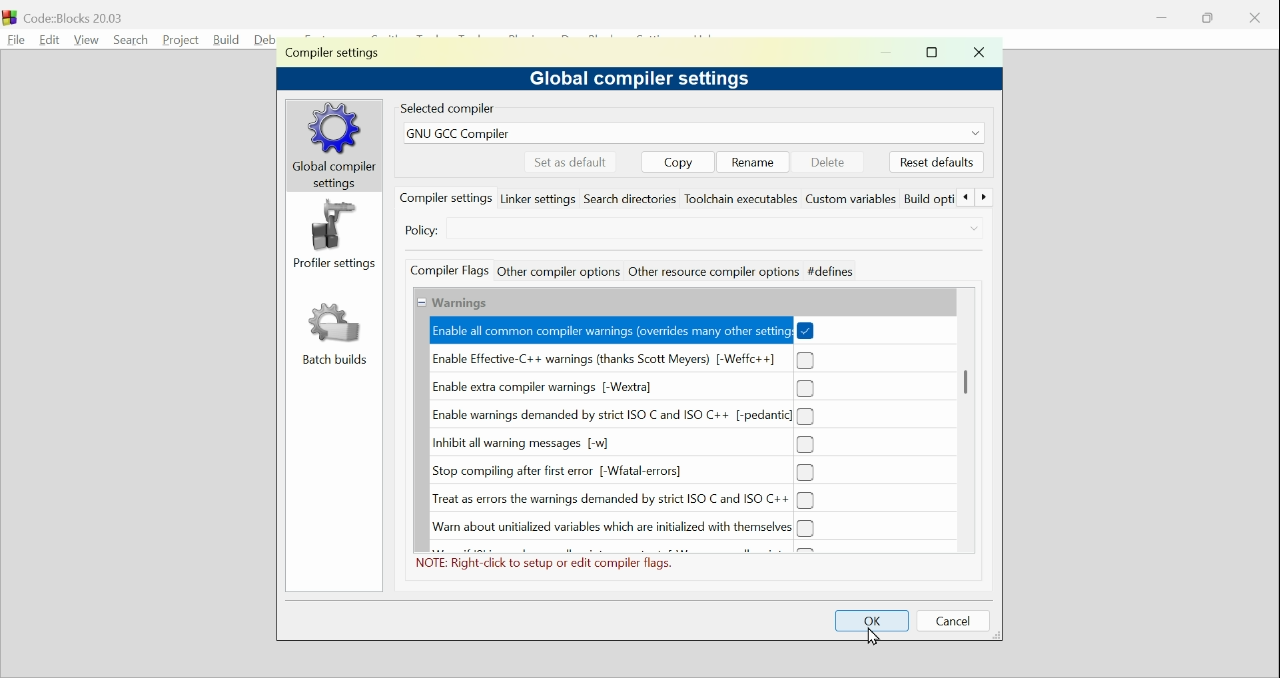 The width and height of the screenshot is (1280, 678). Describe the element at coordinates (179, 39) in the screenshot. I see `Project` at that location.